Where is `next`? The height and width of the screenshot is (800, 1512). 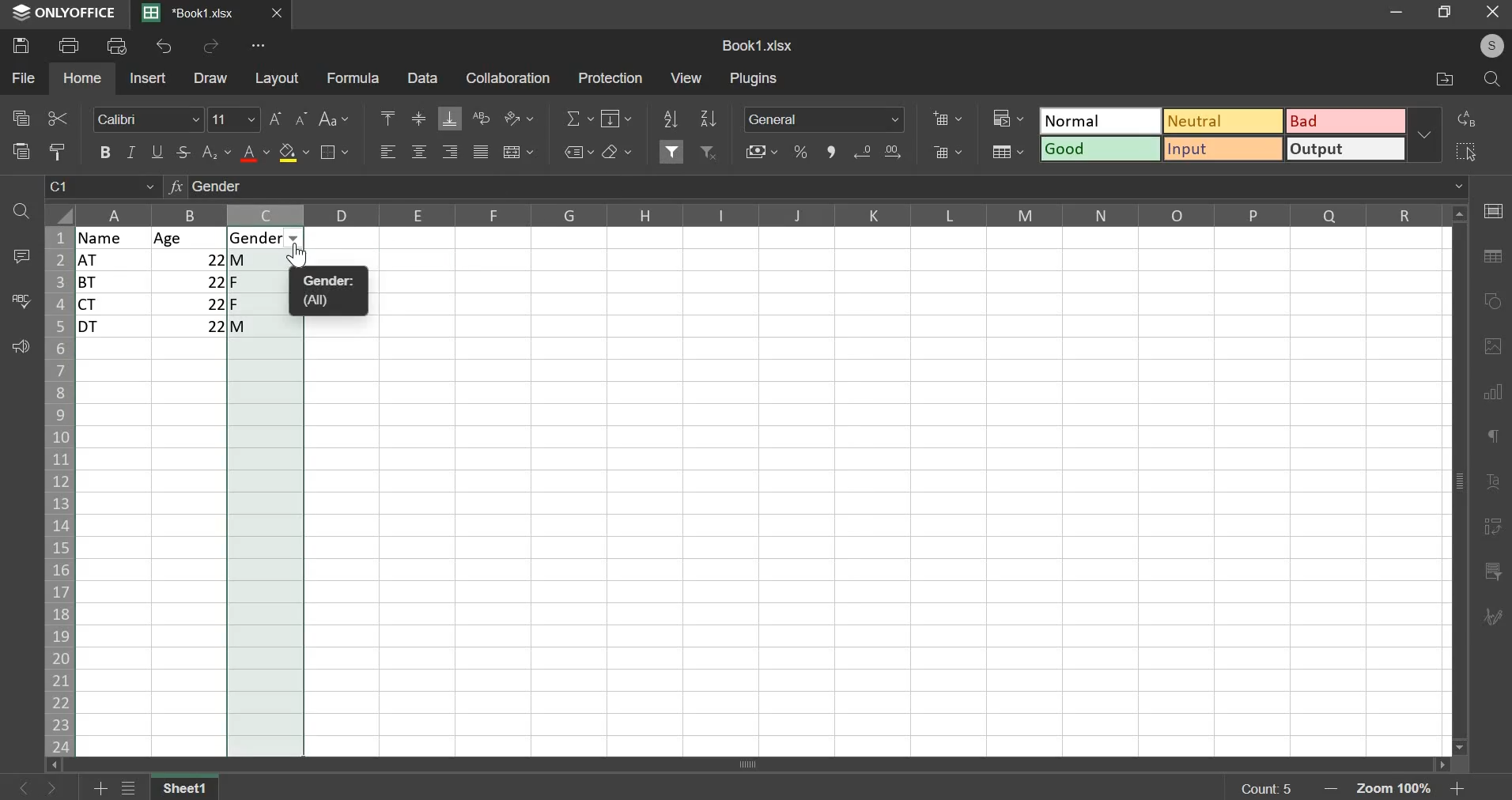 next is located at coordinates (24, 786).